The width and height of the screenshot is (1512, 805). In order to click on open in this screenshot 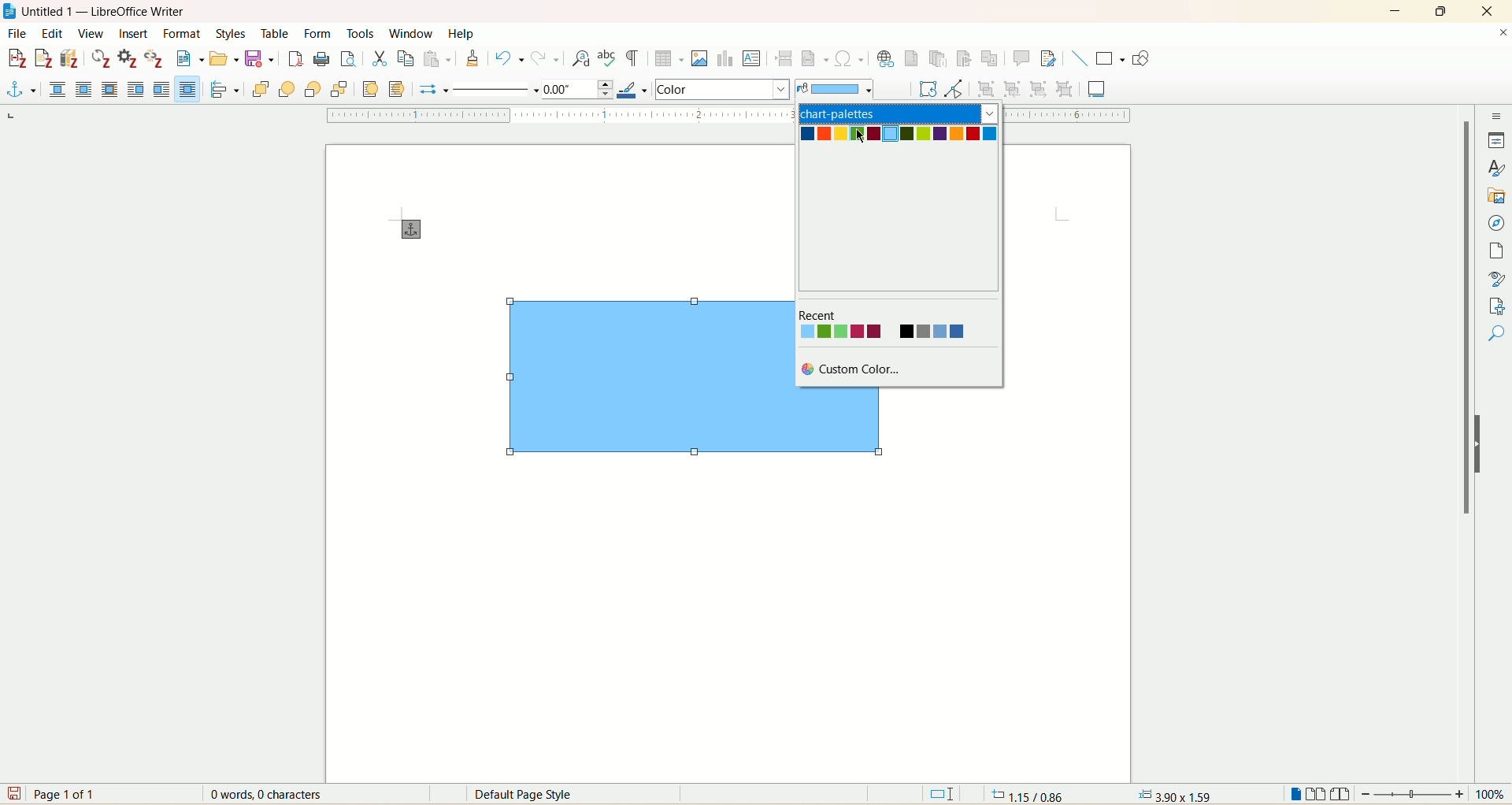, I will do `click(223, 59)`.